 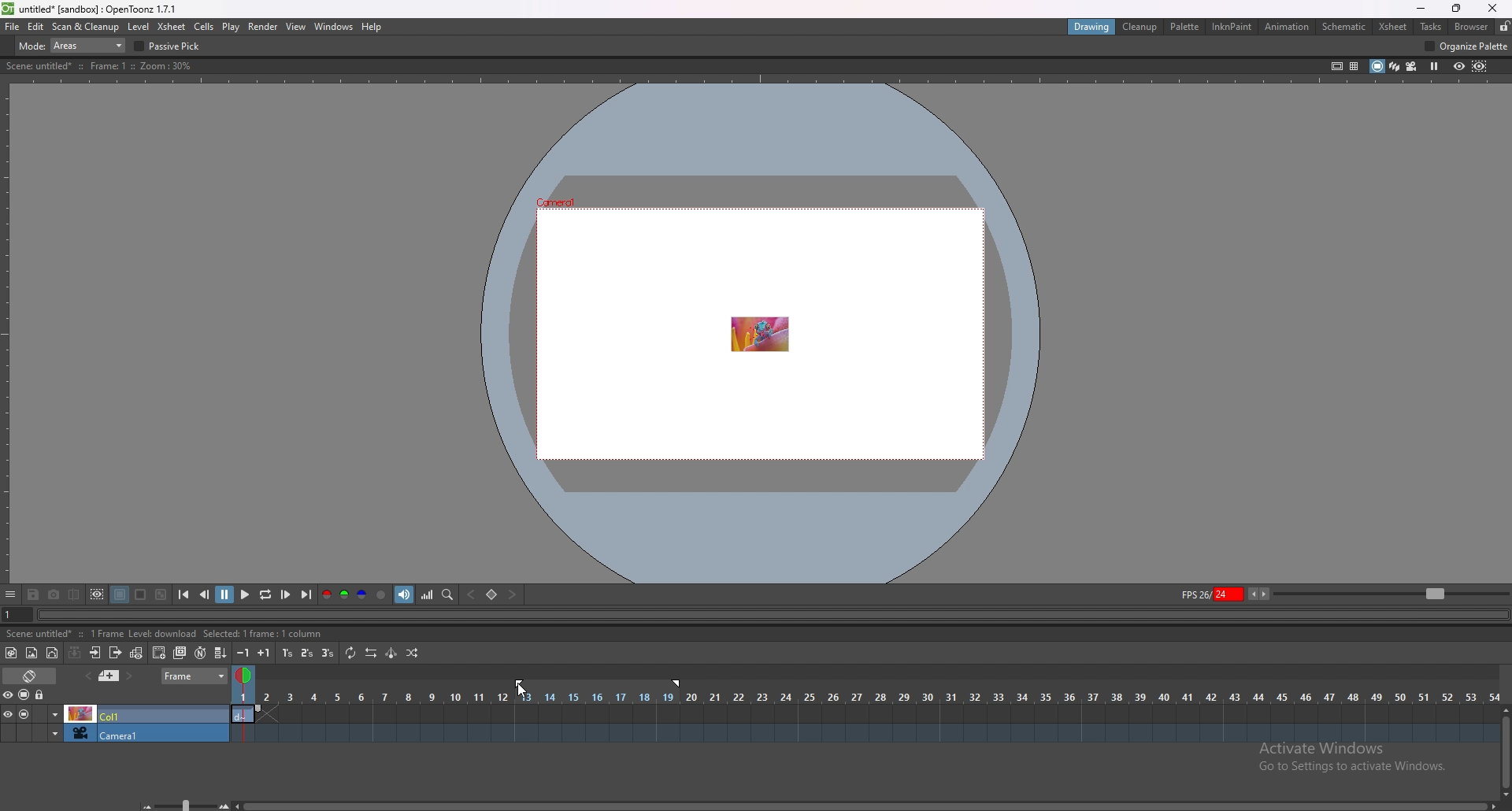 What do you see at coordinates (1344, 27) in the screenshot?
I see `schematic` at bounding box center [1344, 27].